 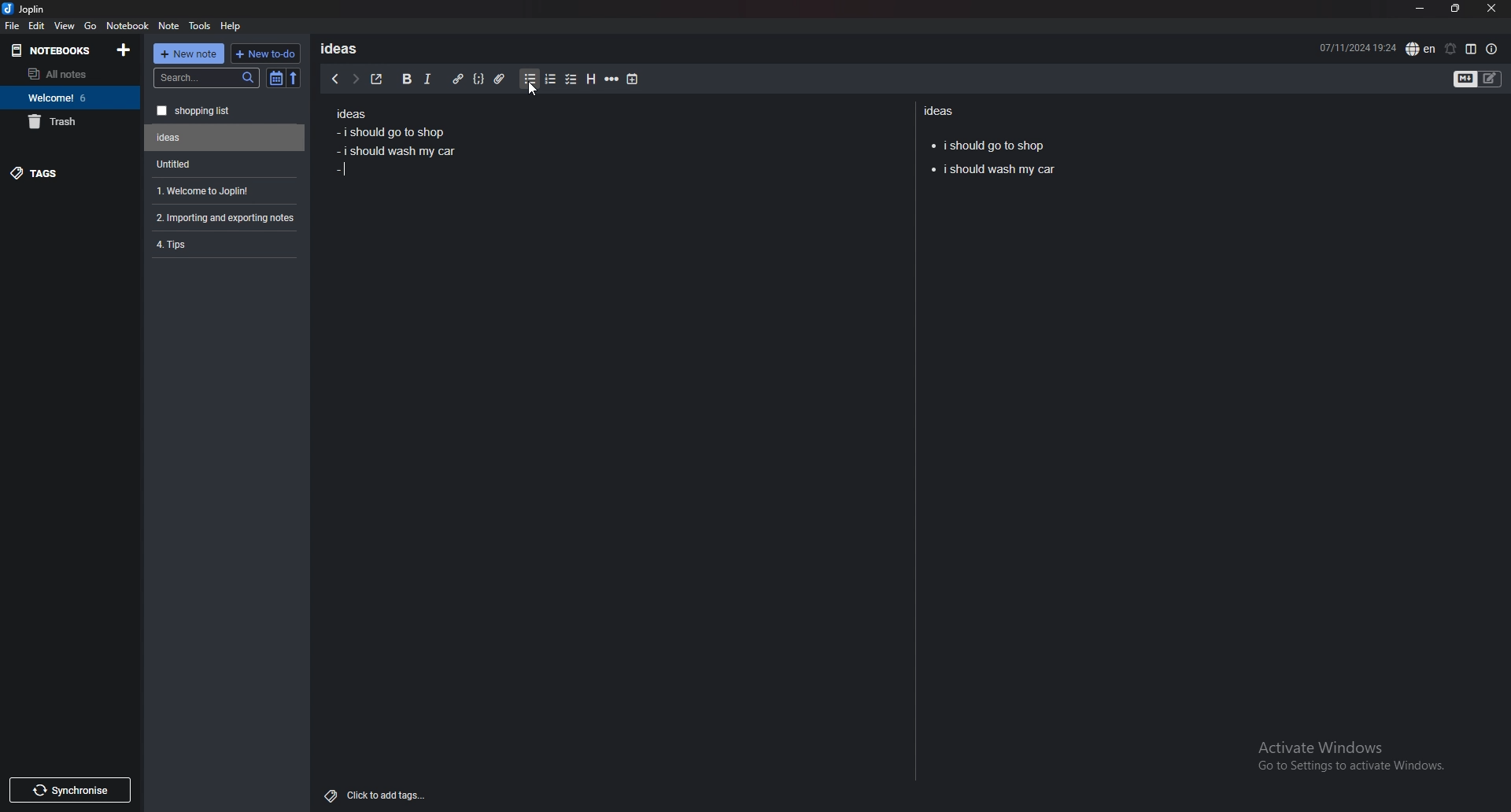 What do you see at coordinates (389, 131) in the screenshot?
I see `i should go to shop` at bounding box center [389, 131].